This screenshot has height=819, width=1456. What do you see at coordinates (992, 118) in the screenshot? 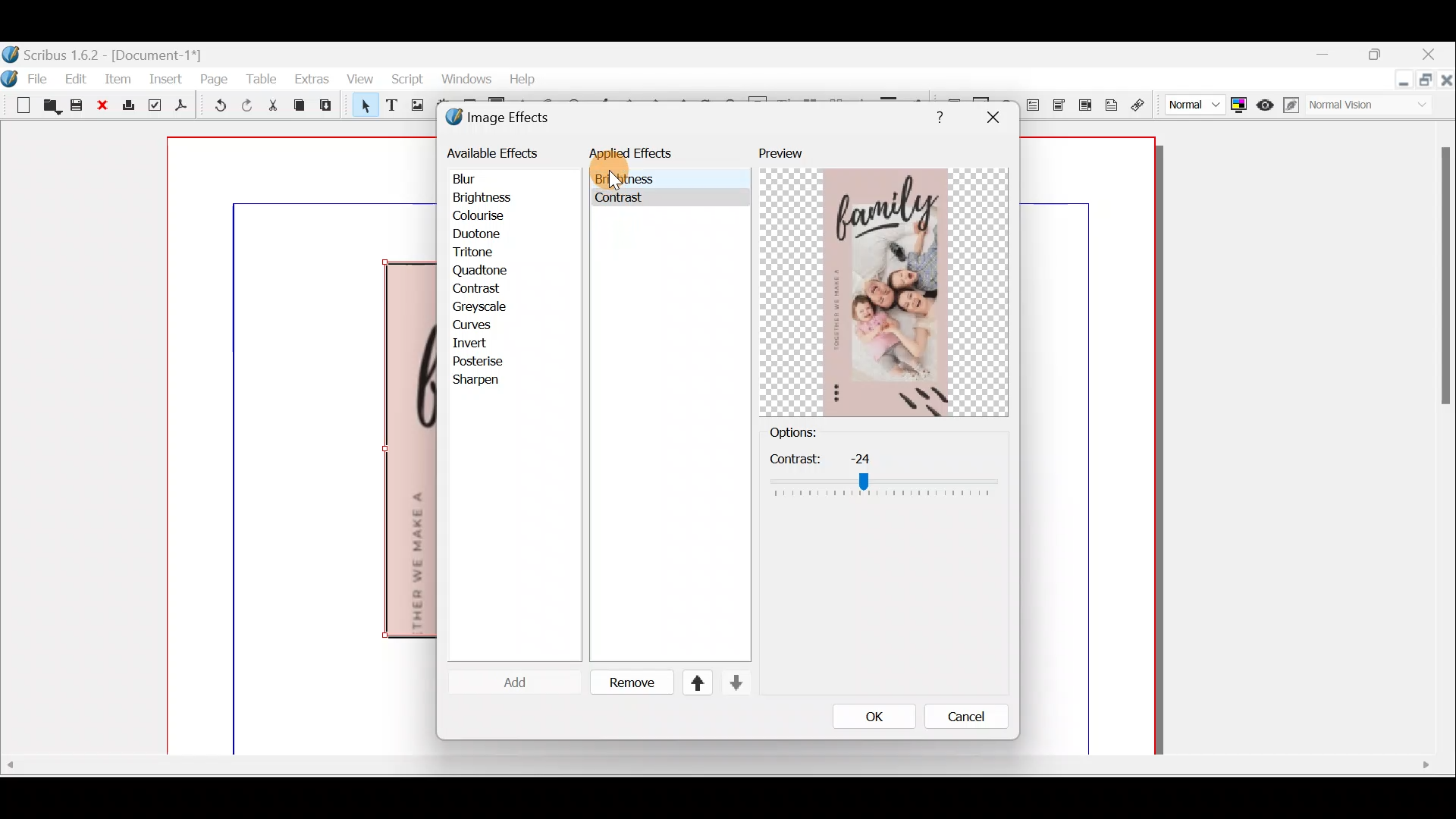
I see `` at bounding box center [992, 118].